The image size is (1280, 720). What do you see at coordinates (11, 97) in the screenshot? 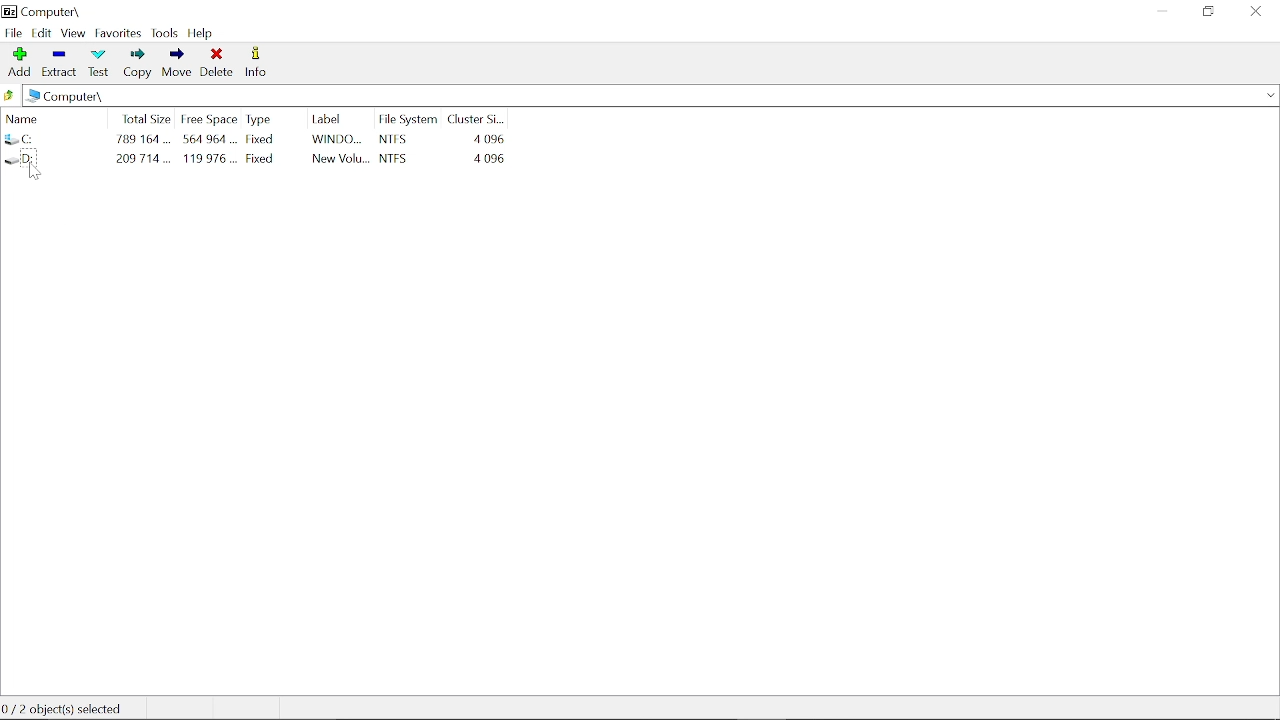
I see `back to last location` at bounding box center [11, 97].